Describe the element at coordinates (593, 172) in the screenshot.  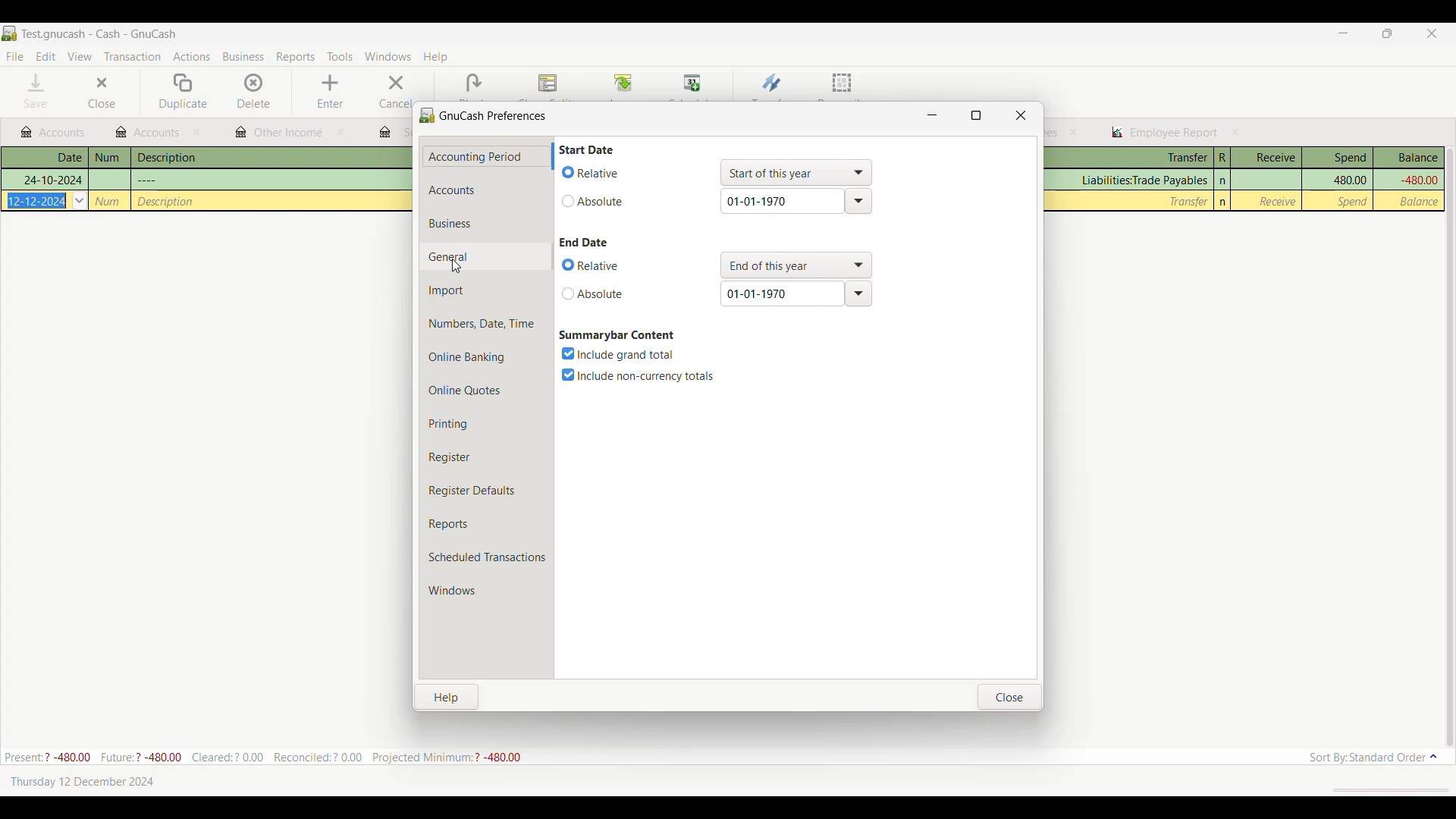
I see `Toggle options that also indicate date settings` at that location.